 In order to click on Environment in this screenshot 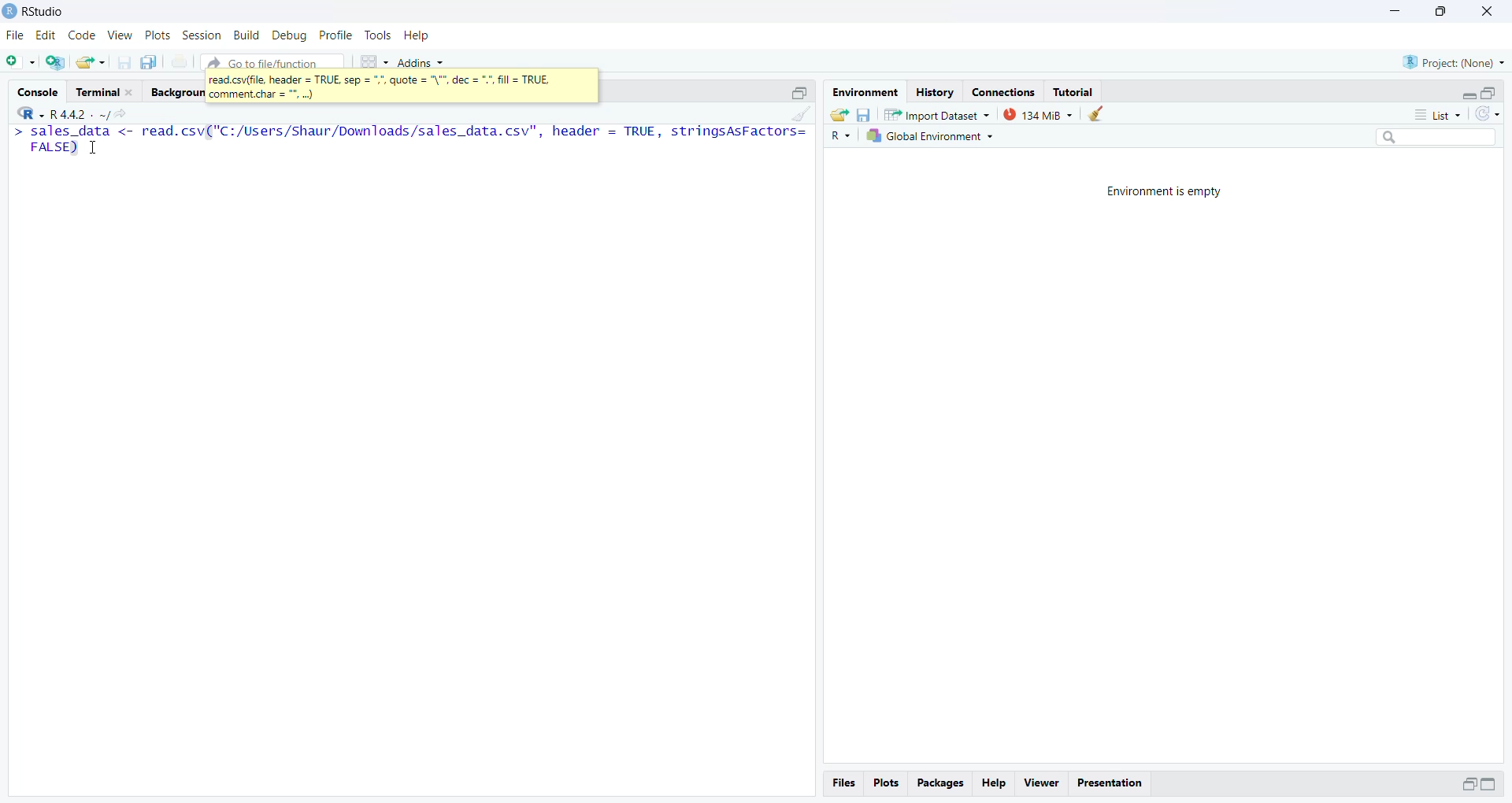, I will do `click(863, 93)`.